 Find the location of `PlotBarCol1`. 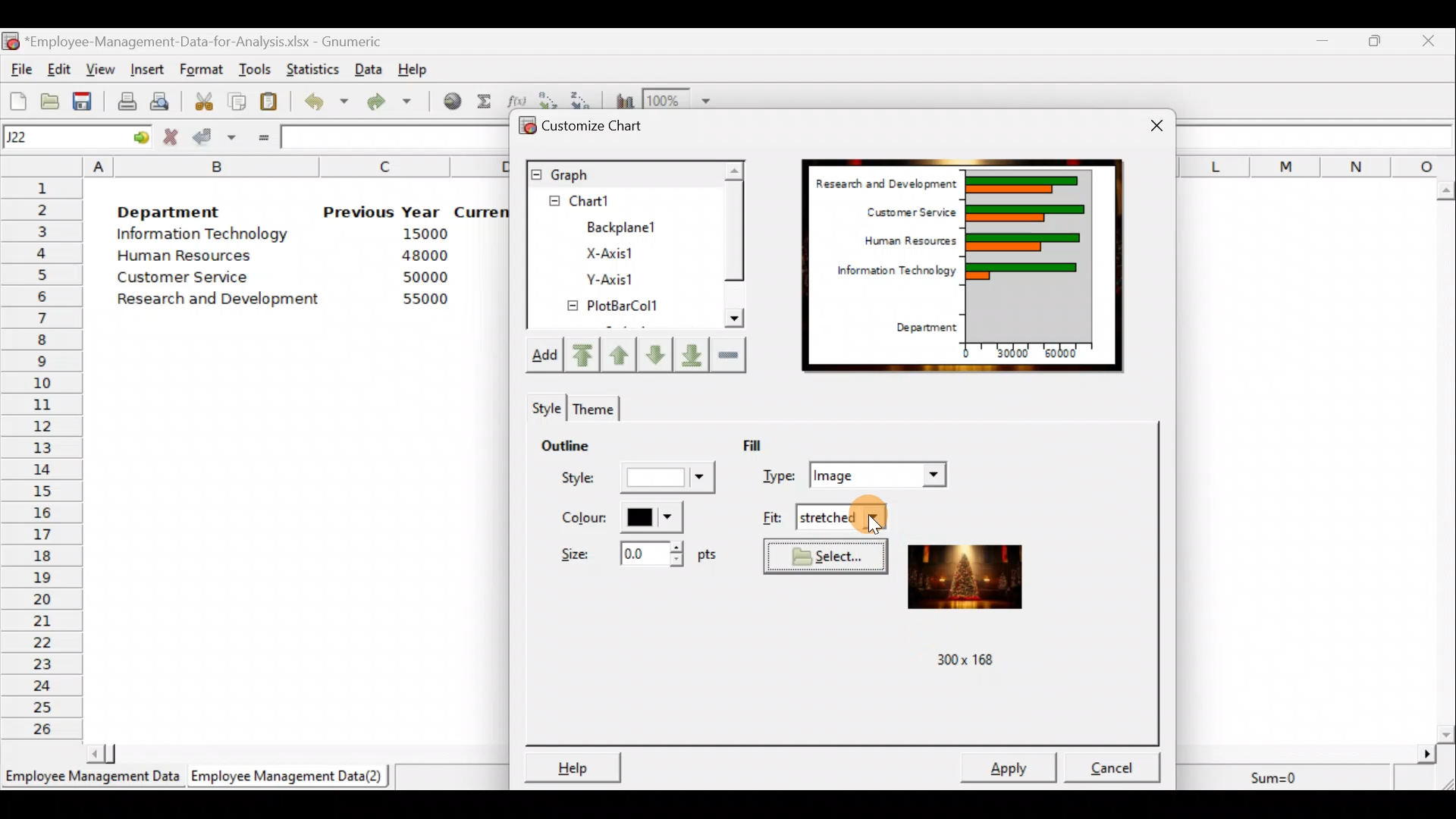

PlotBarCol1 is located at coordinates (613, 308).